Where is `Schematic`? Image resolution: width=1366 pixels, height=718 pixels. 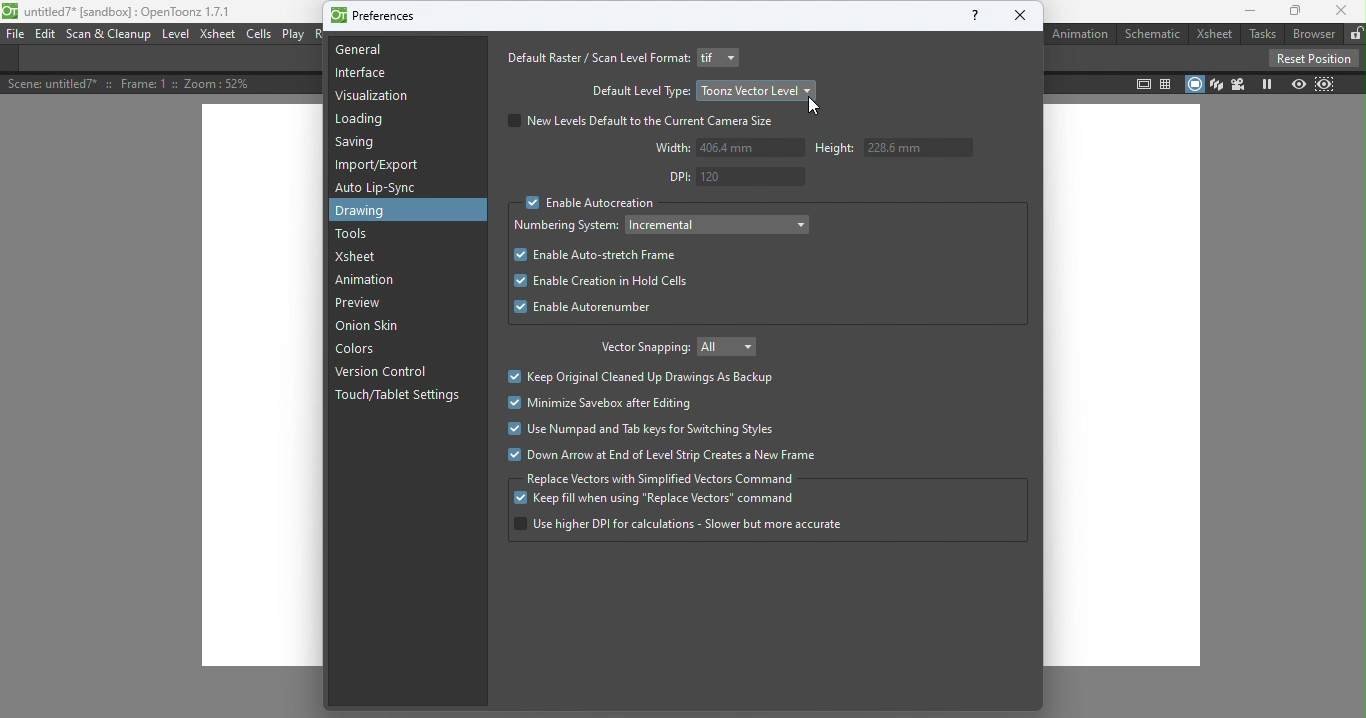
Schematic is located at coordinates (1154, 33).